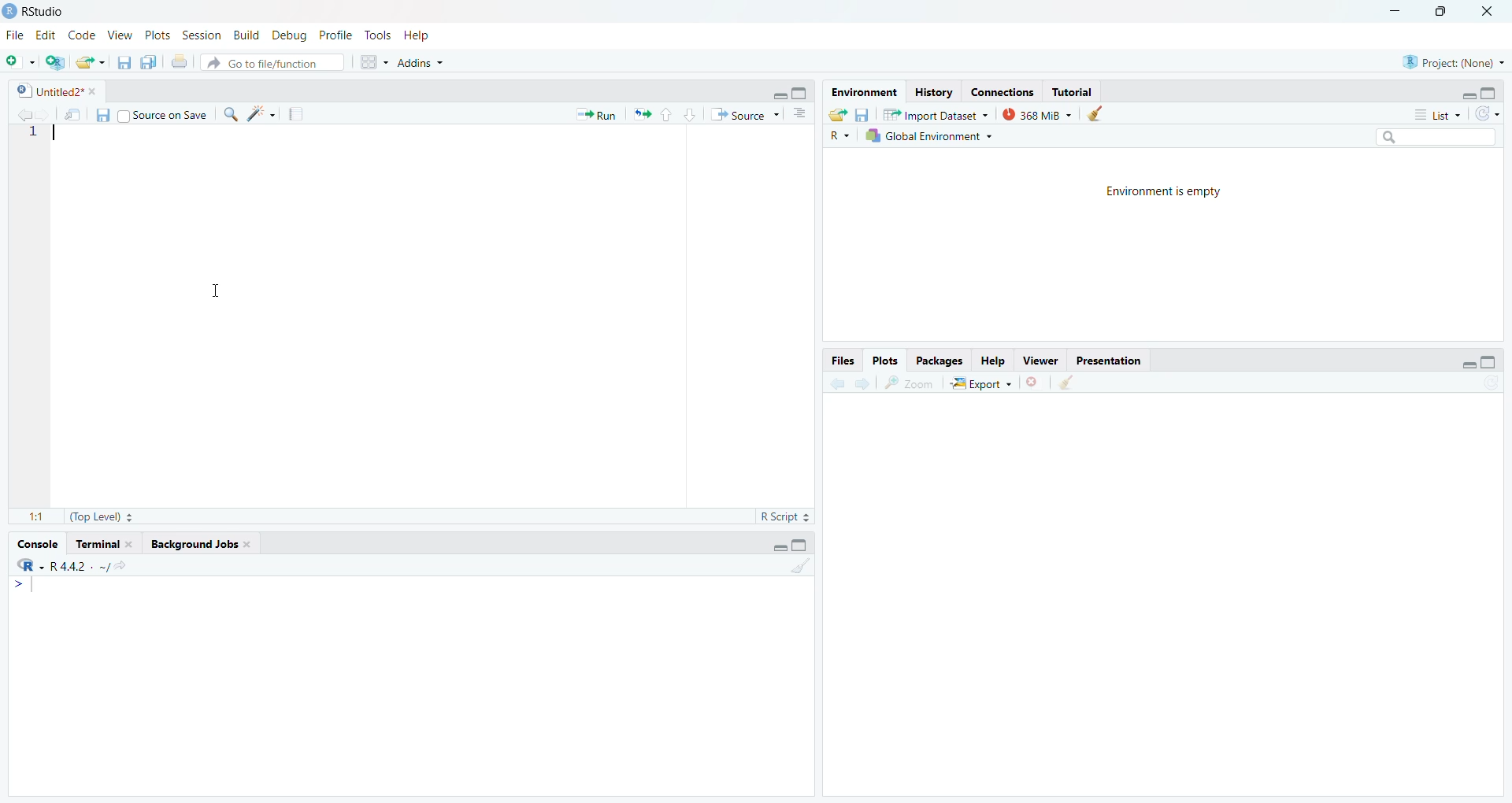 Image resolution: width=1512 pixels, height=803 pixels. I want to click on next, so click(869, 384).